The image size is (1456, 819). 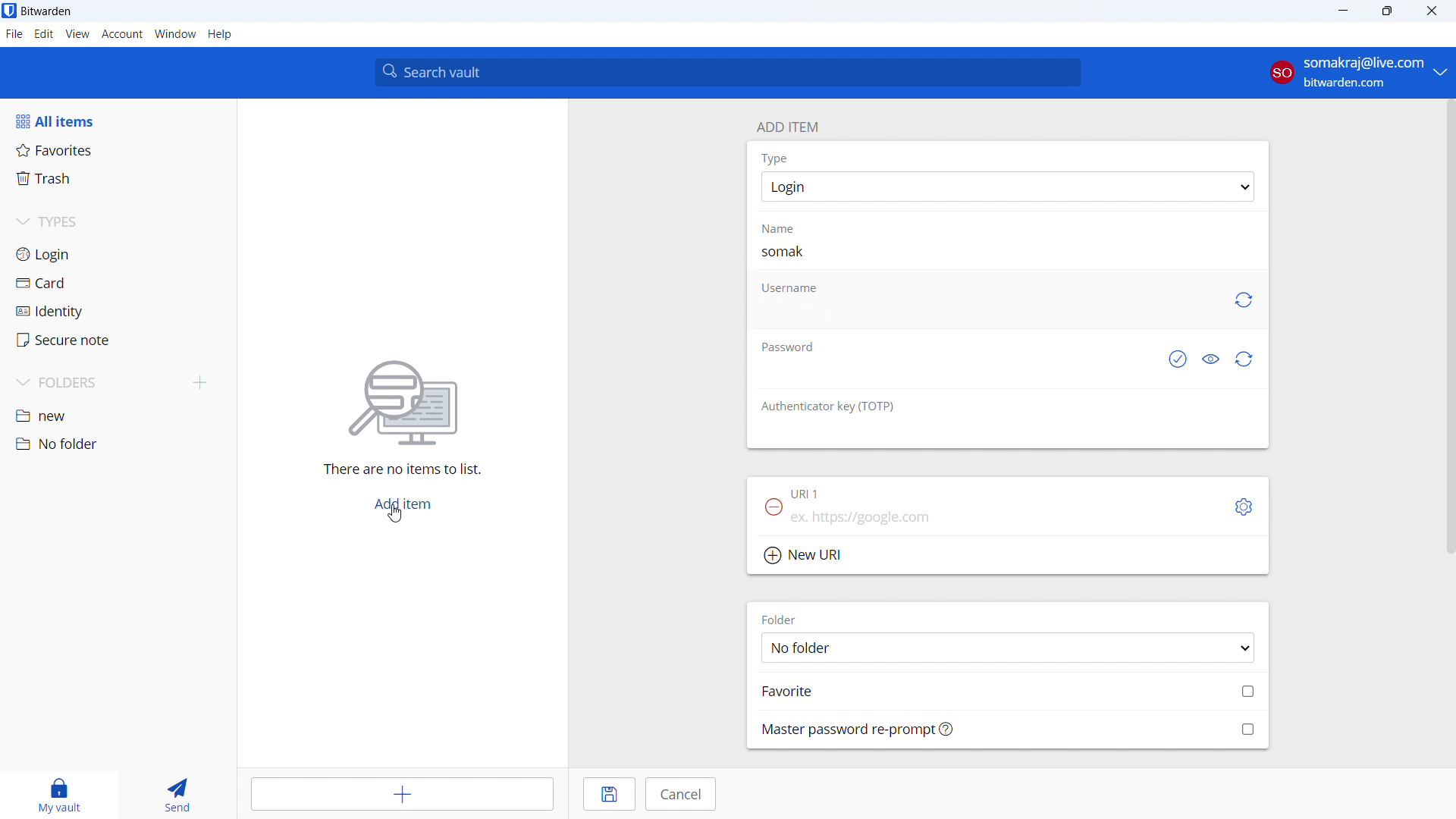 What do you see at coordinates (950, 375) in the screenshot?
I see `add password` at bounding box center [950, 375].